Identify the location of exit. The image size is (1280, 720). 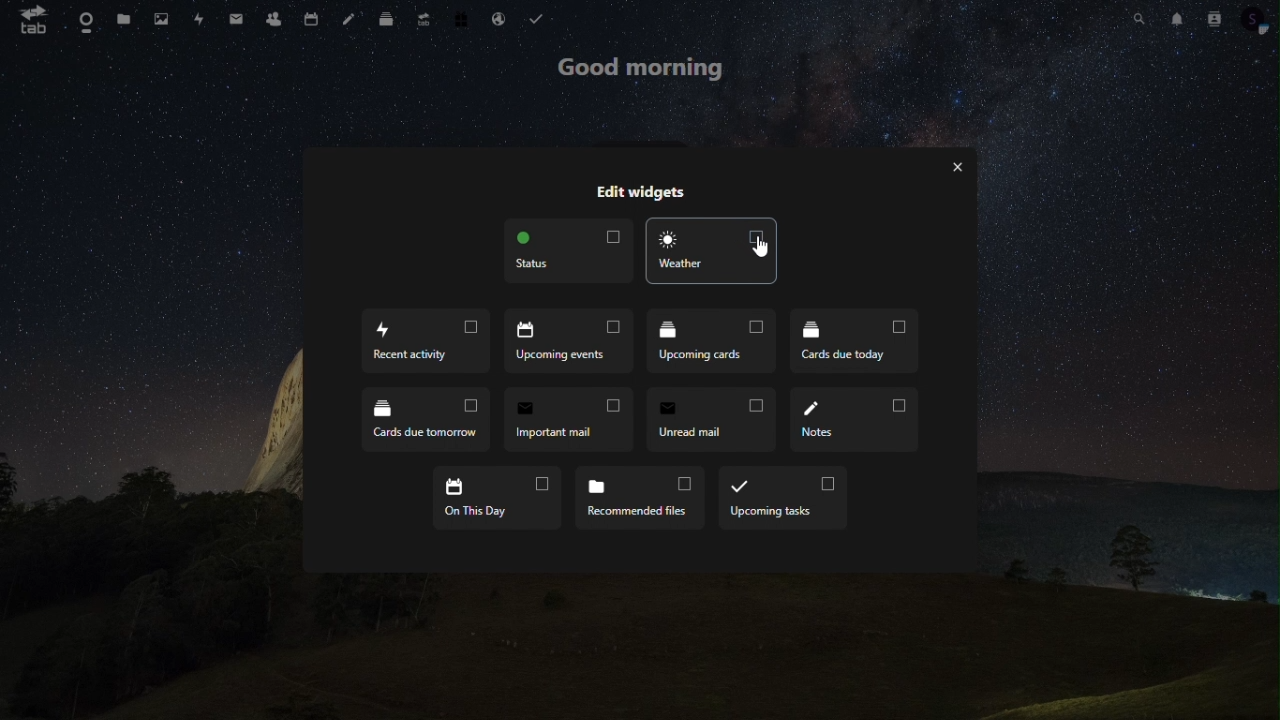
(954, 169).